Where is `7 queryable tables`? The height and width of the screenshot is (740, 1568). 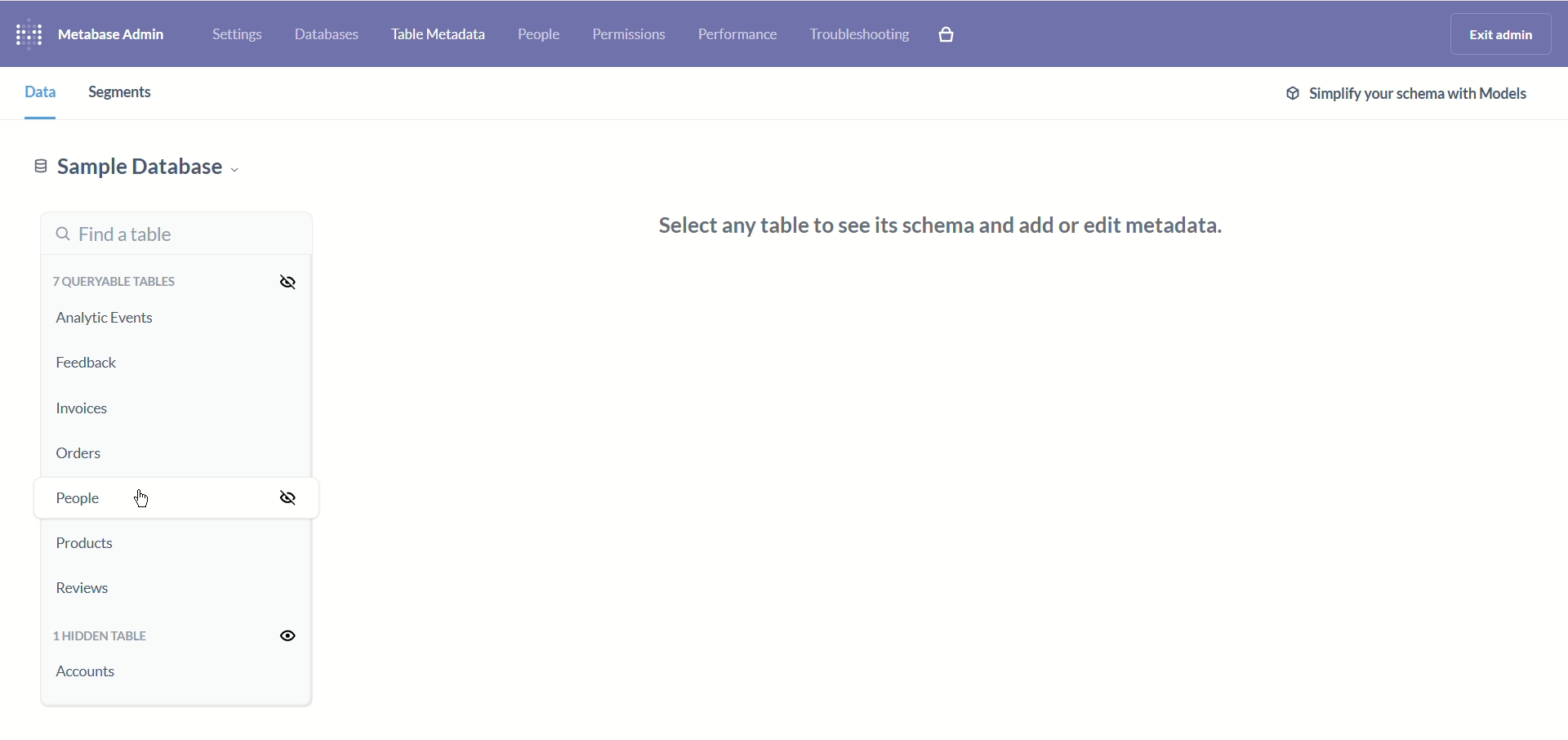 7 queryable tables is located at coordinates (111, 281).